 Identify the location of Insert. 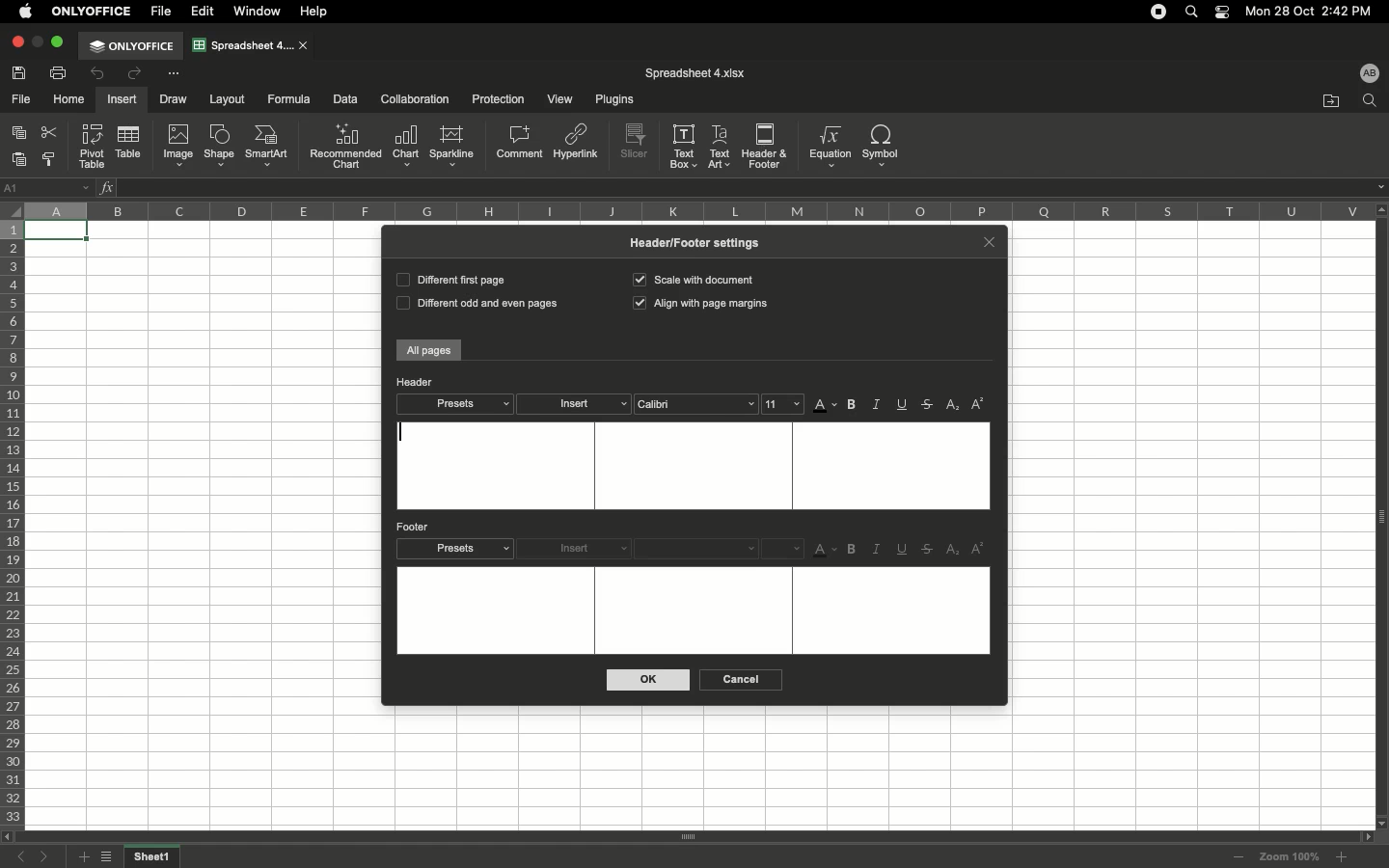
(121, 99).